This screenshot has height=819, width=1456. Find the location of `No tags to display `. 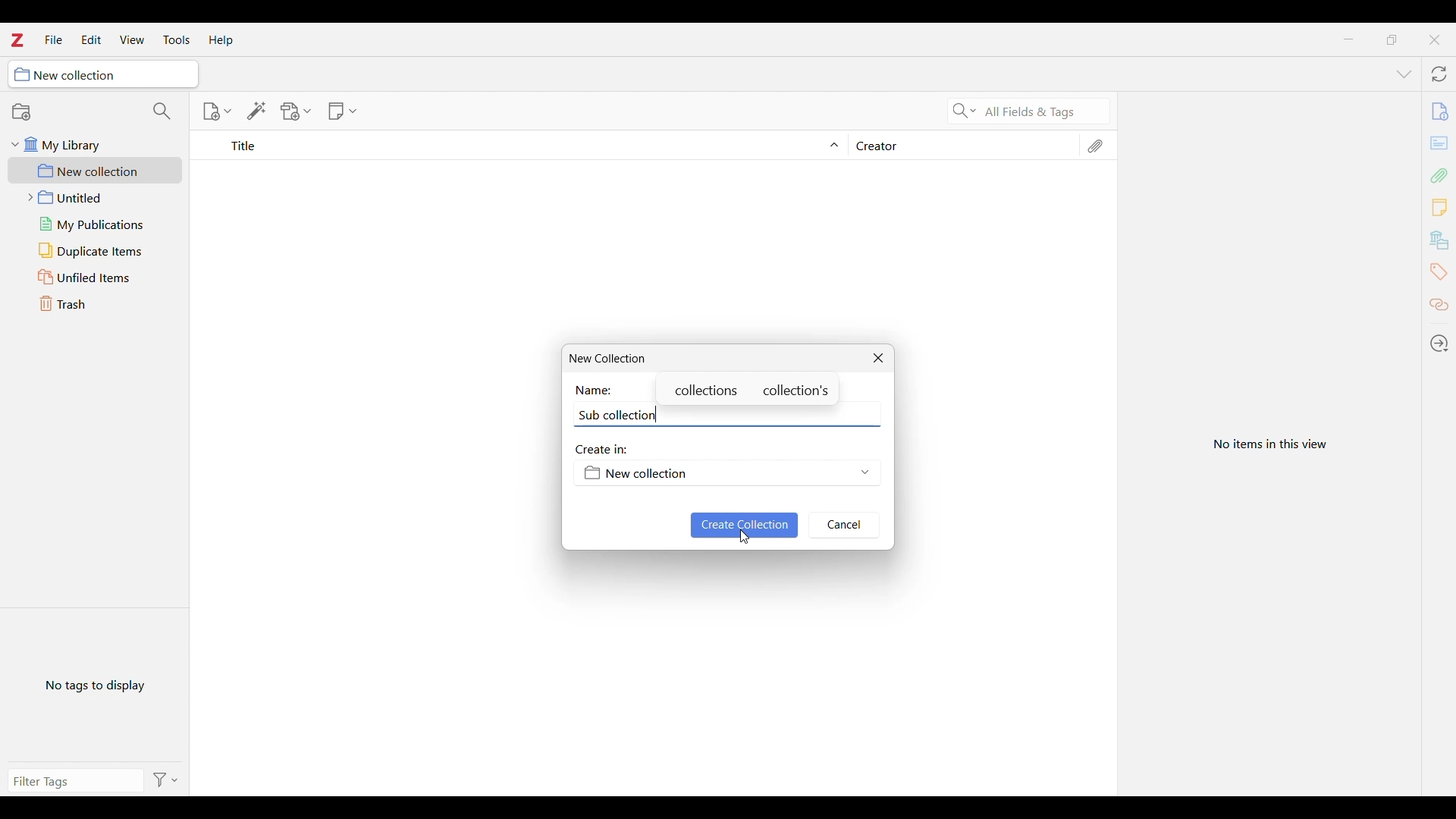

No tags to display  is located at coordinates (90, 686).